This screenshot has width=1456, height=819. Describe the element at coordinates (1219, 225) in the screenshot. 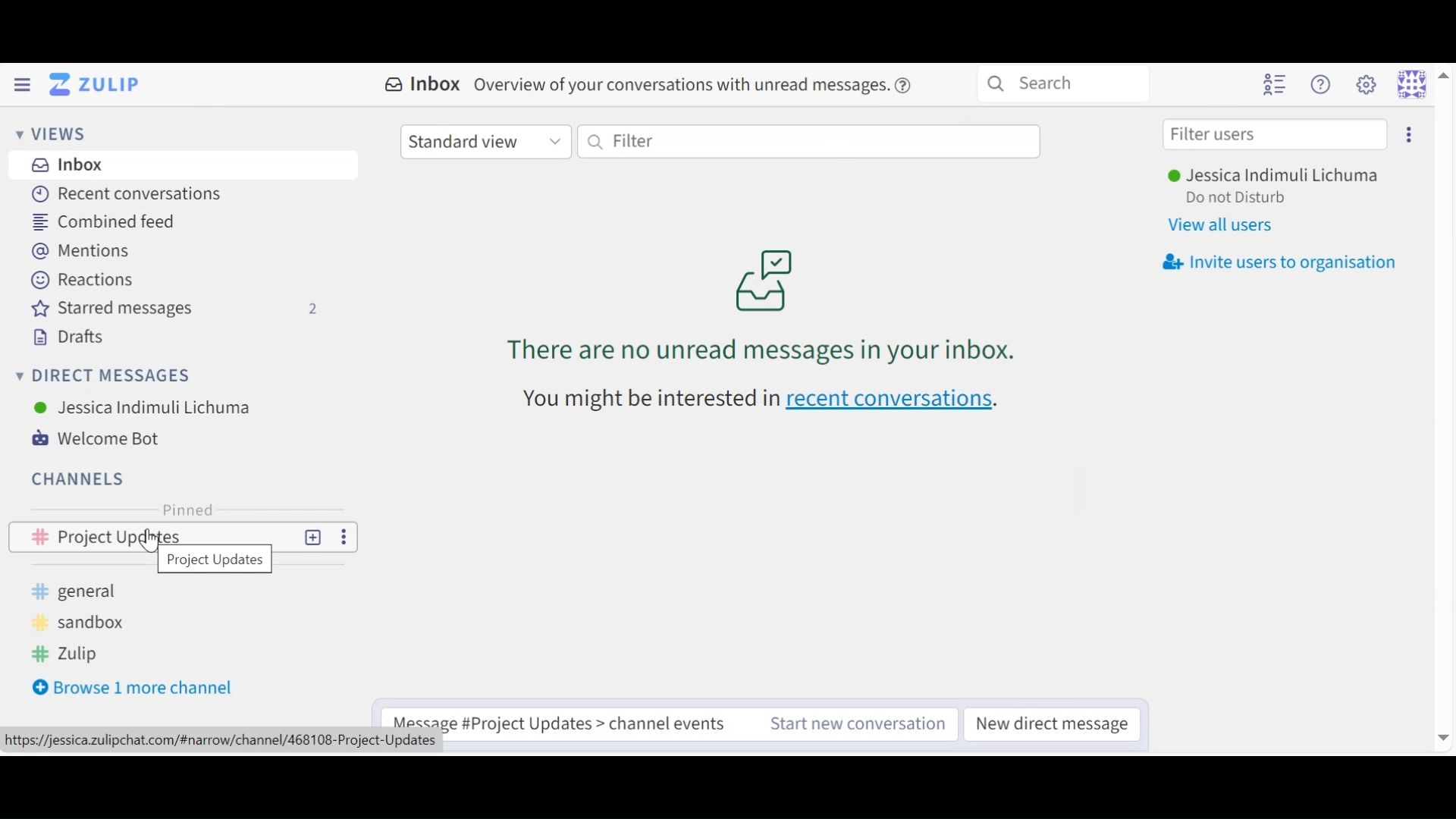

I see `View all users` at that location.